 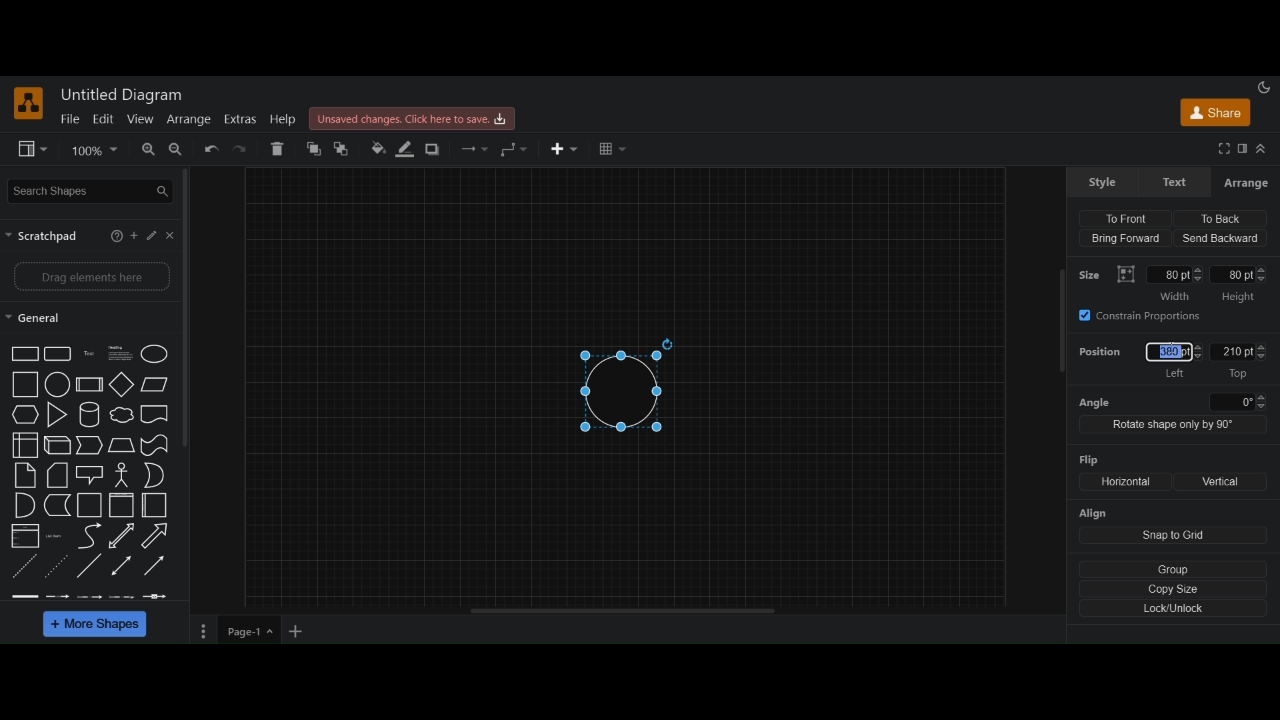 I want to click on vertical scrollbar, so click(x=1062, y=321).